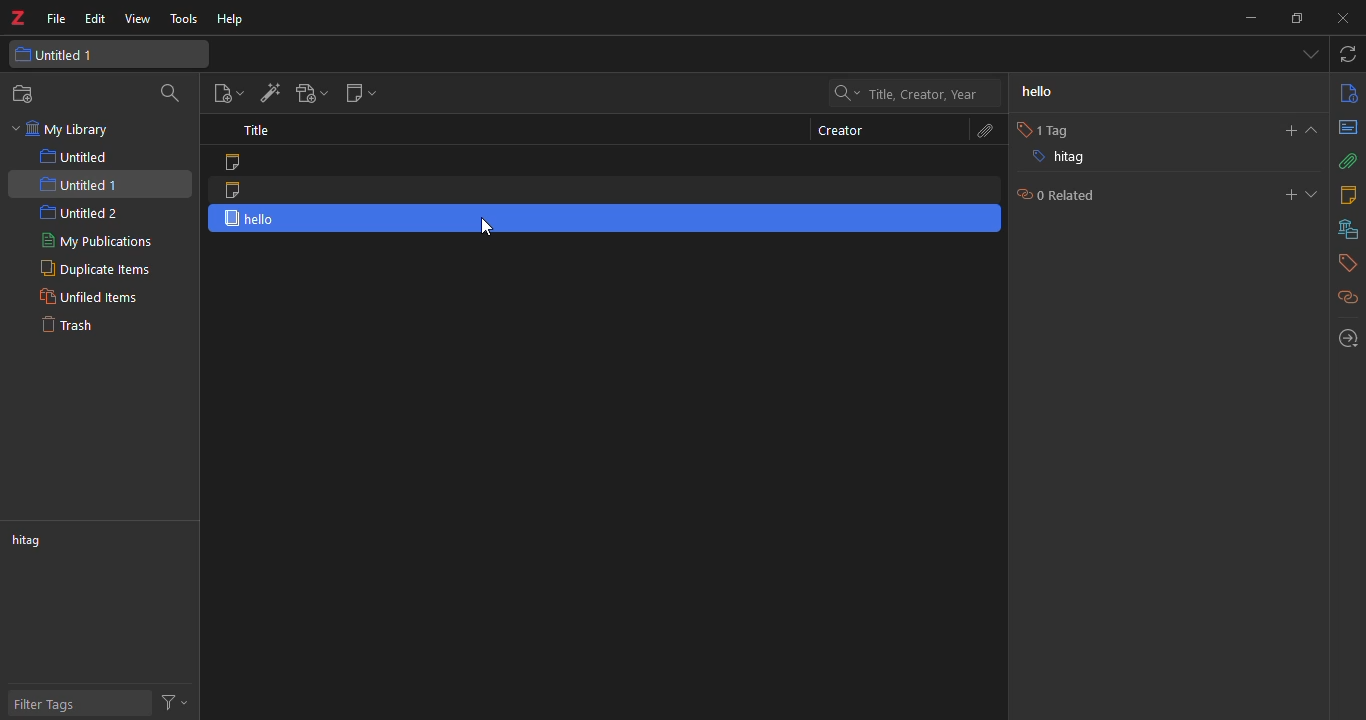 The width and height of the screenshot is (1366, 720). Describe the element at coordinates (79, 157) in the screenshot. I see `untitled` at that location.